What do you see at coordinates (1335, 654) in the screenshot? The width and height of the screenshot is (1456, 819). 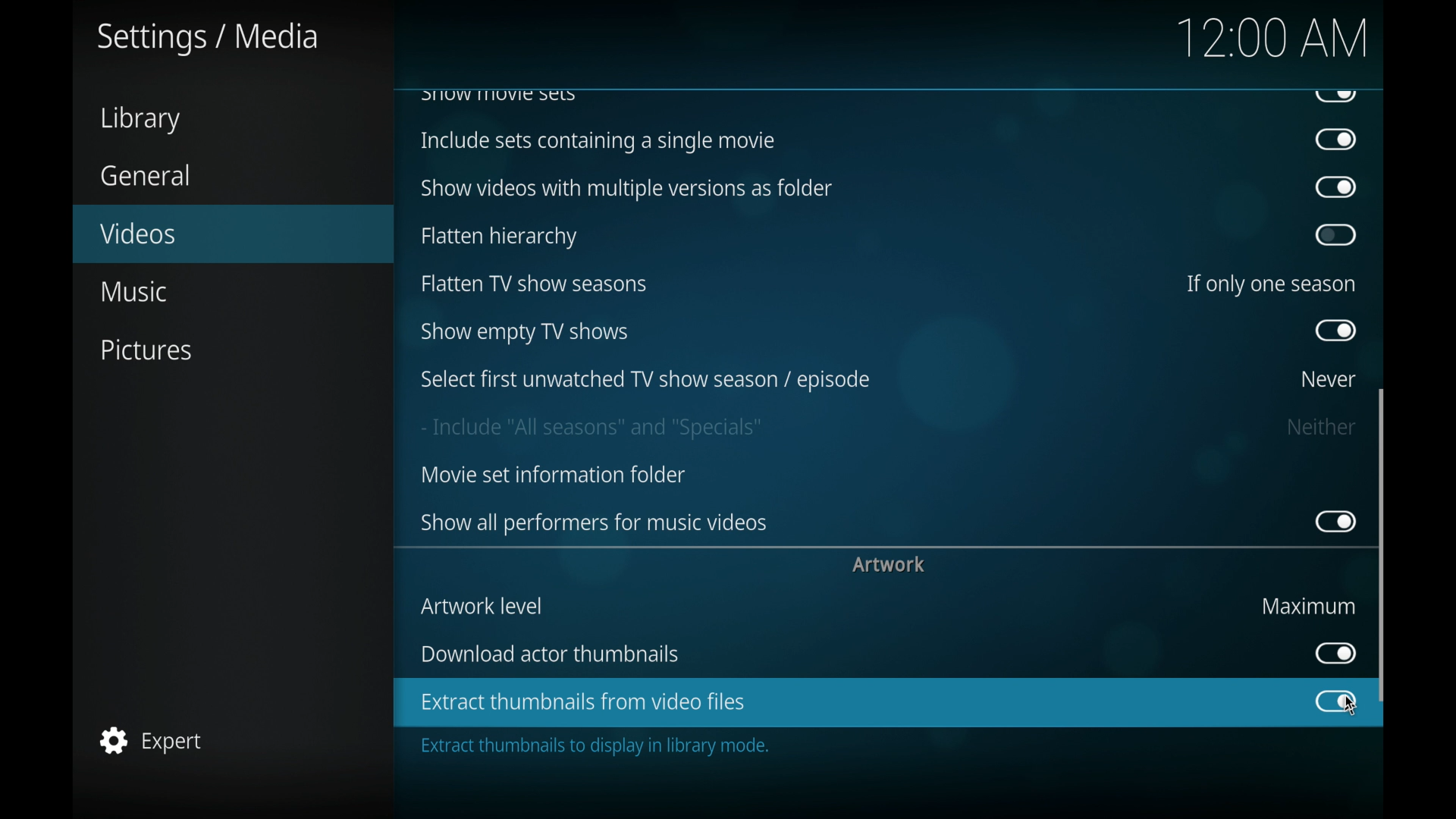 I see `toggle button` at bounding box center [1335, 654].